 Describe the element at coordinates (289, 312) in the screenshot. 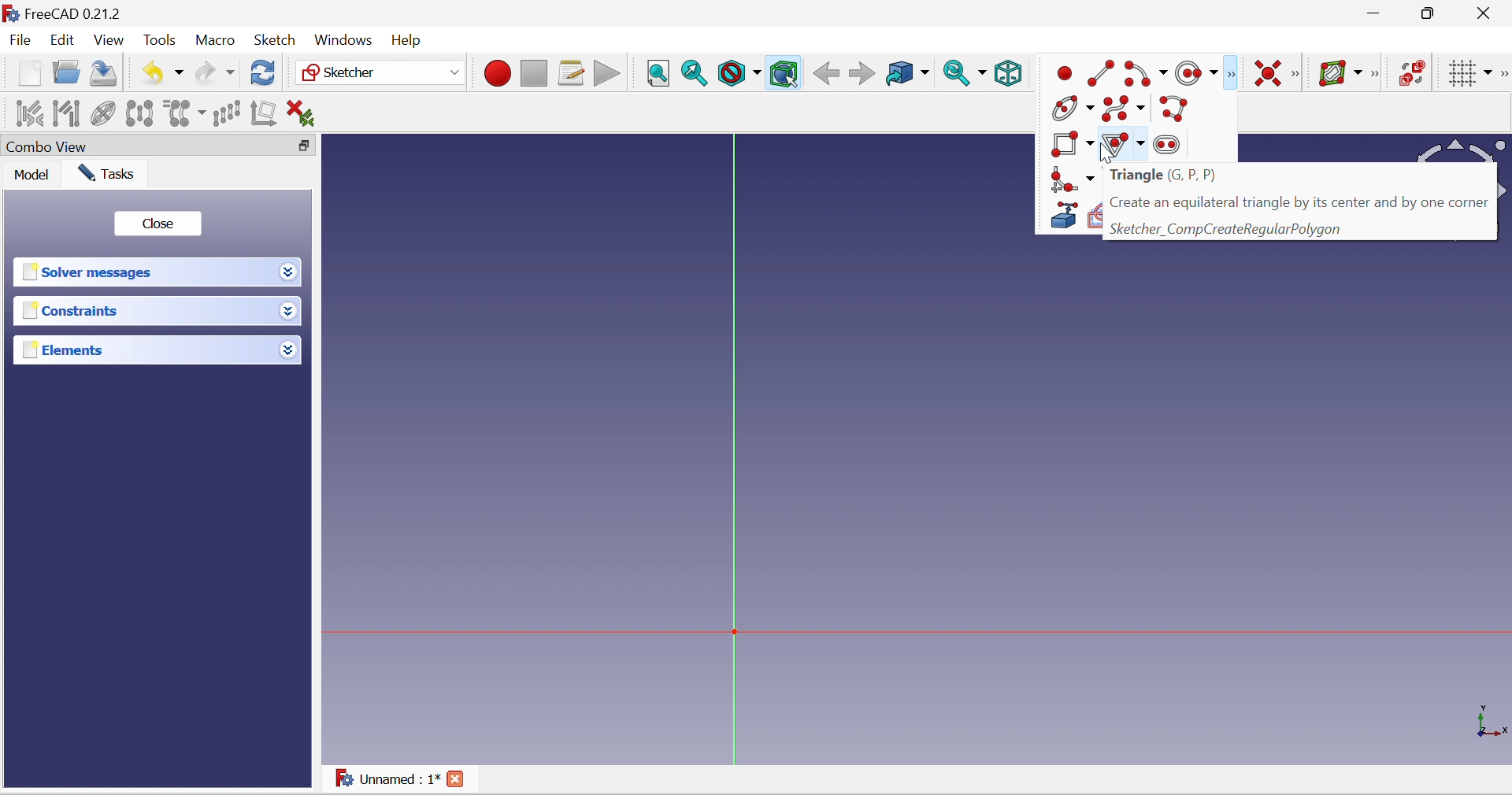

I see `Drop down` at that location.